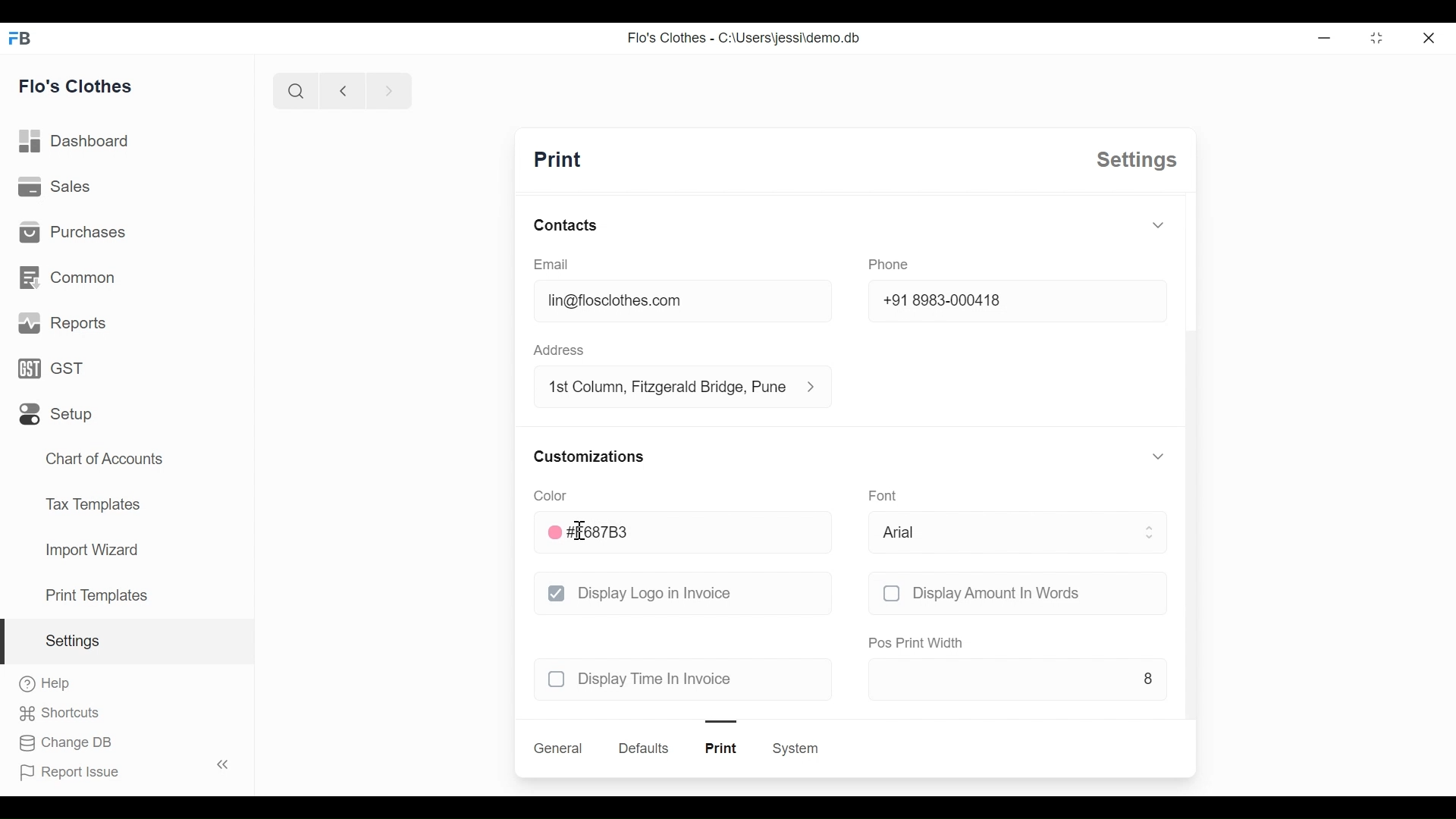 This screenshot has width=1456, height=819. Describe the element at coordinates (70, 773) in the screenshot. I see `report issue` at that location.